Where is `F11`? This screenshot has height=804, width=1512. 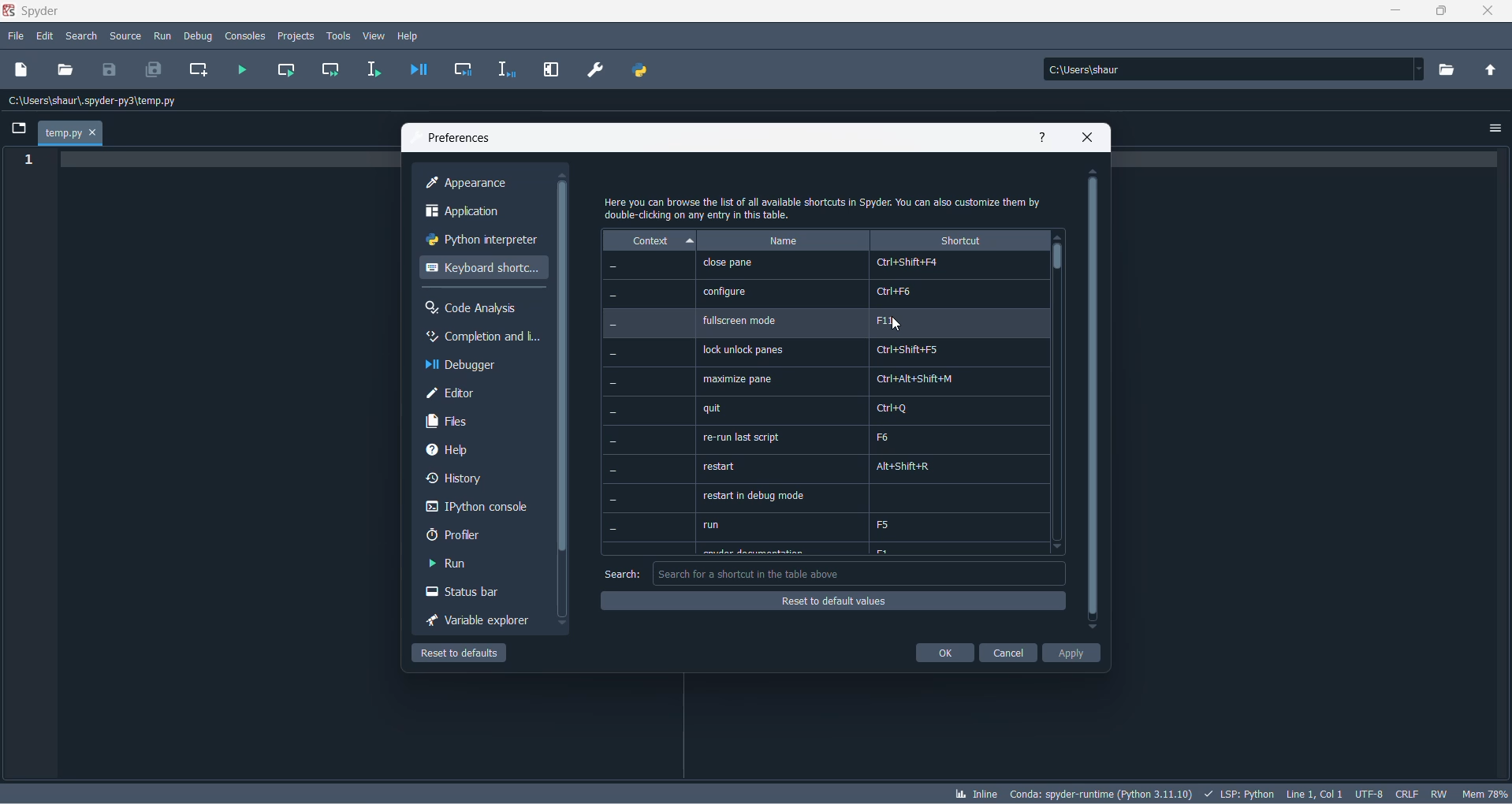 F11 is located at coordinates (883, 319).